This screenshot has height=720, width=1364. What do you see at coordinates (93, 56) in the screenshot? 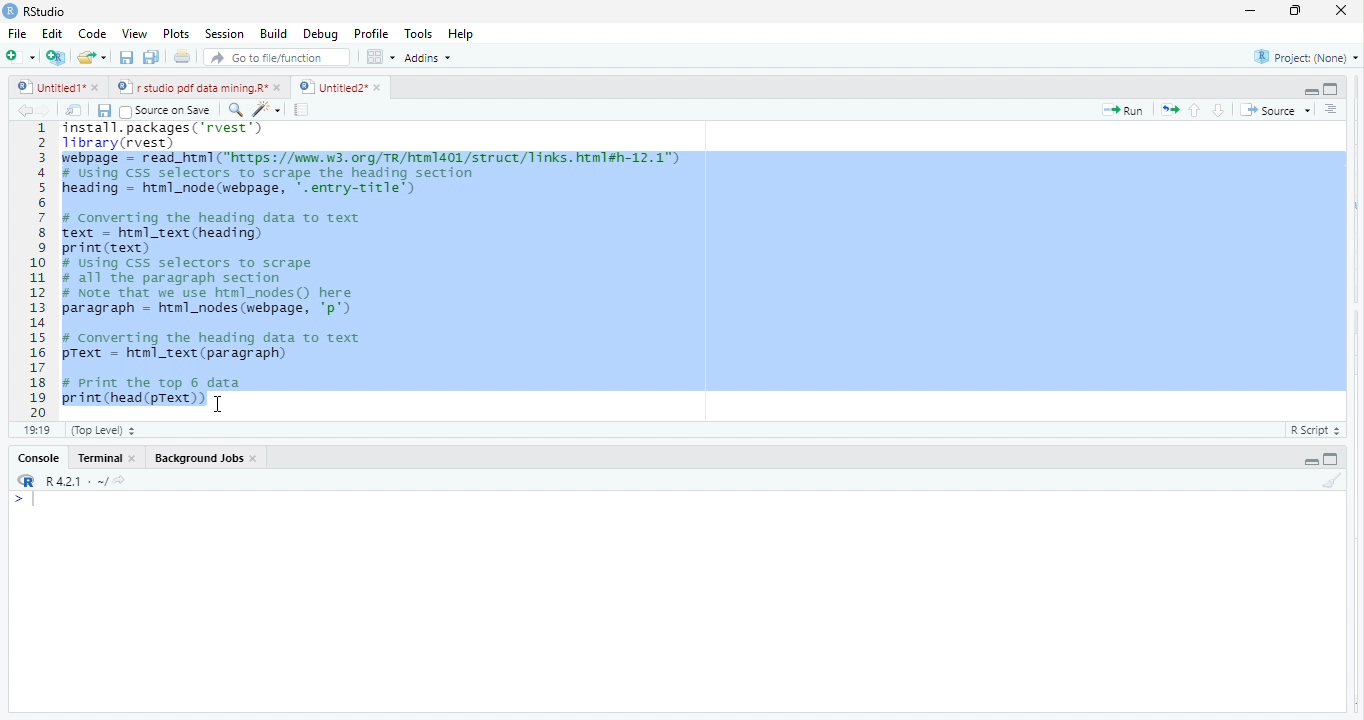
I see `open an existing file` at bounding box center [93, 56].